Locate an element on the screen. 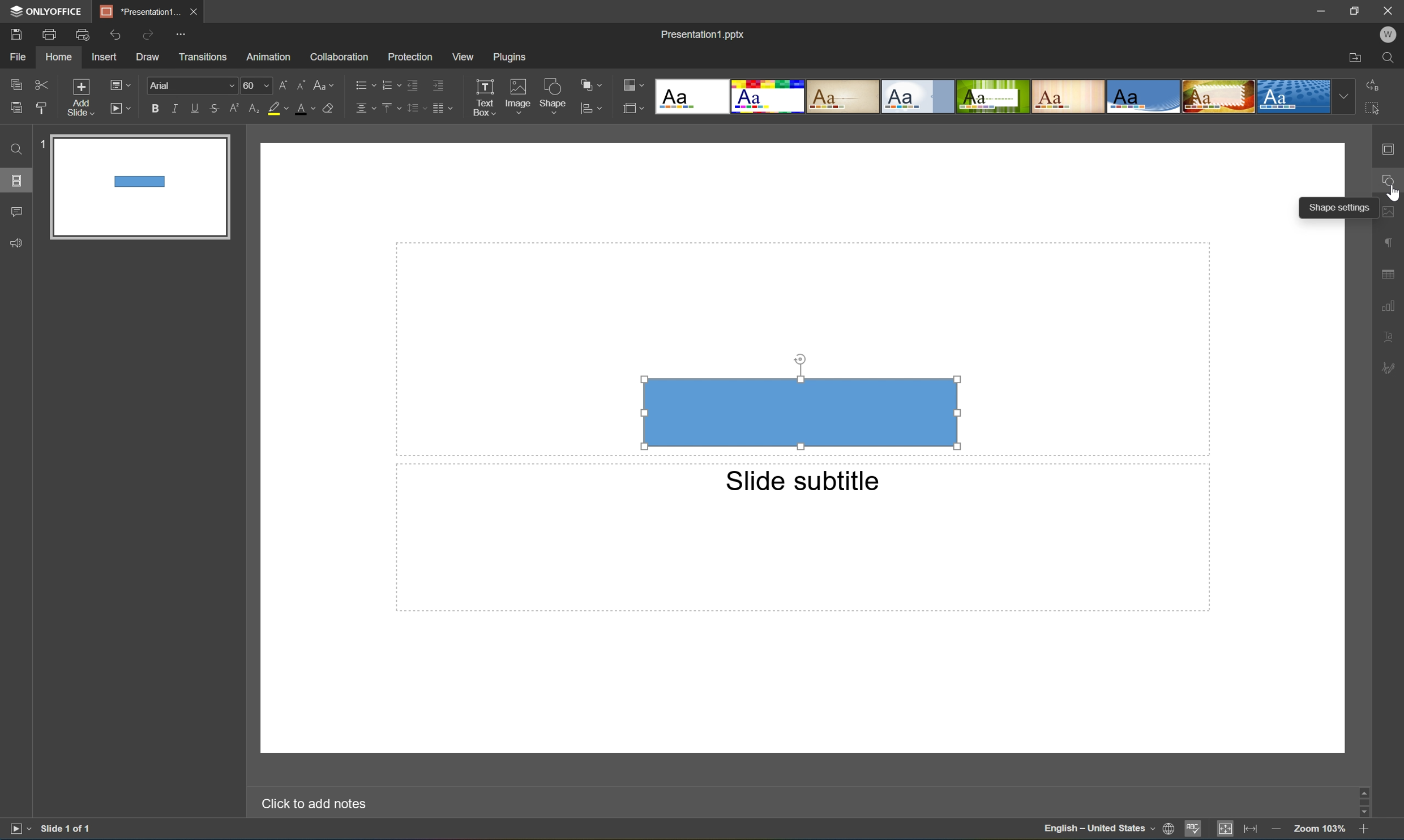 Image resolution: width=1404 pixels, height=840 pixels. Italic is located at coordinates (173, 107).